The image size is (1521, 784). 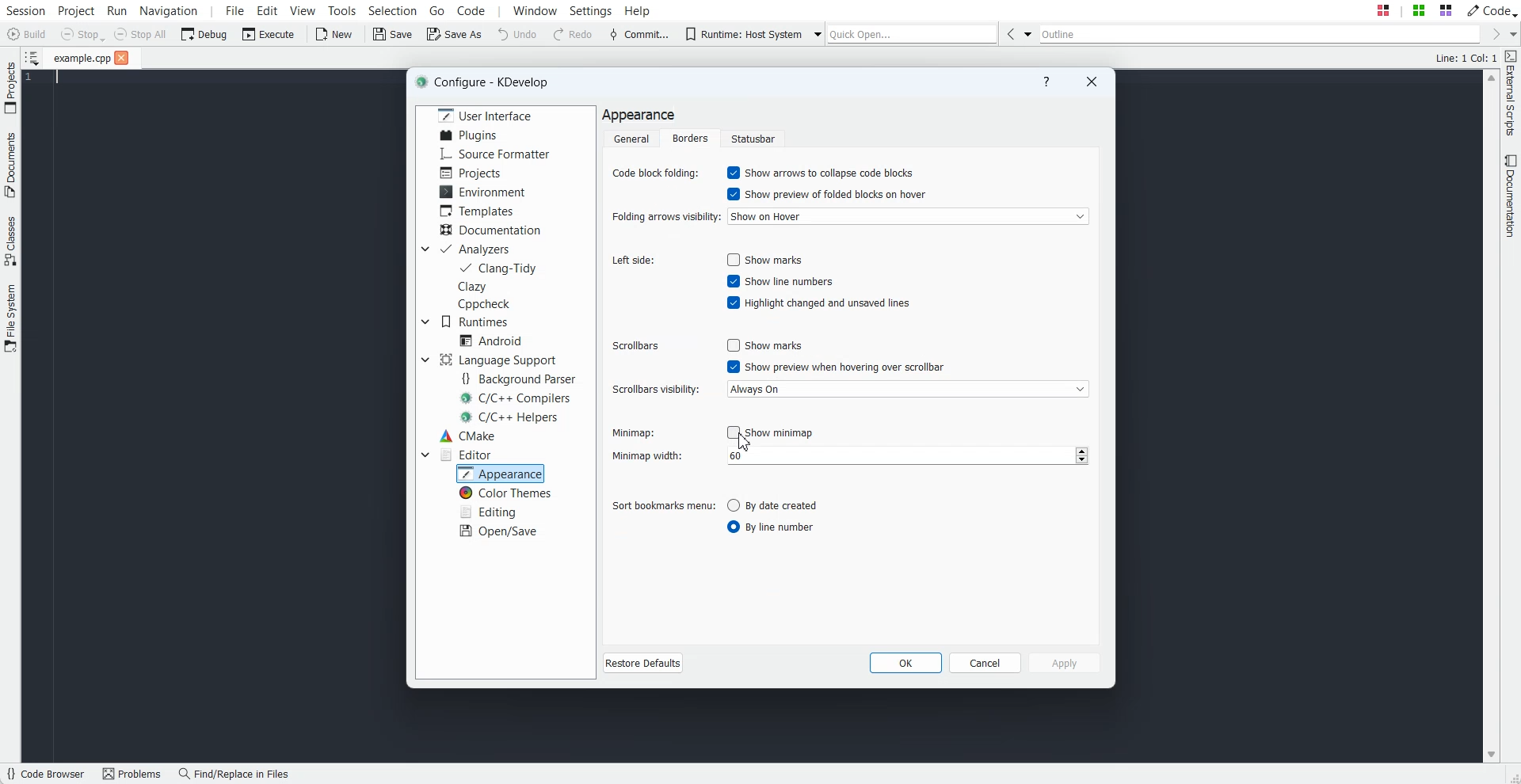 What do you see at coordinates (391, 33) in the screenshot?
I see `Save` at bounding box center [391, 33].